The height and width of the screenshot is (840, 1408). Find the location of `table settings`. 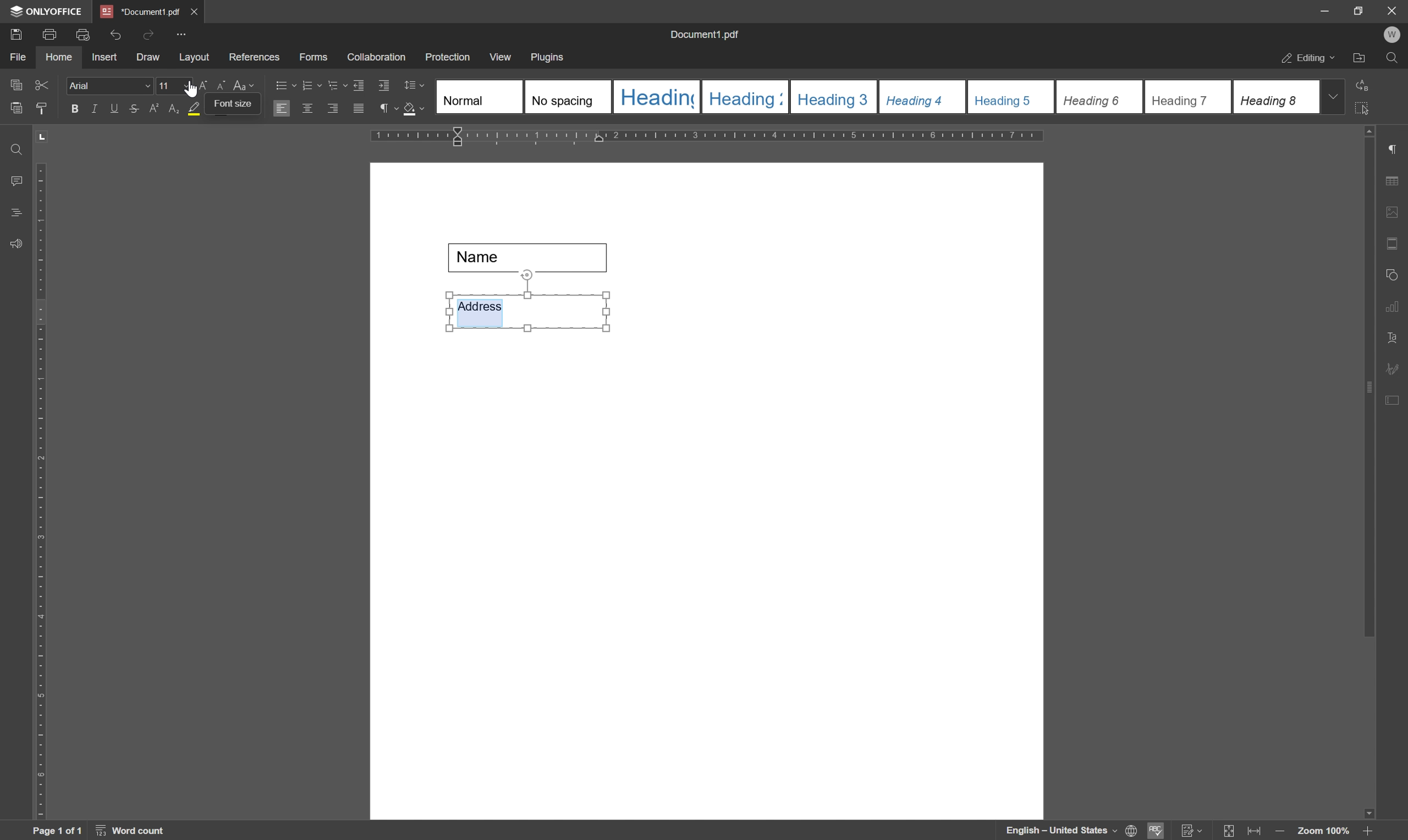

table settings is located at coordinates (1396, 182).